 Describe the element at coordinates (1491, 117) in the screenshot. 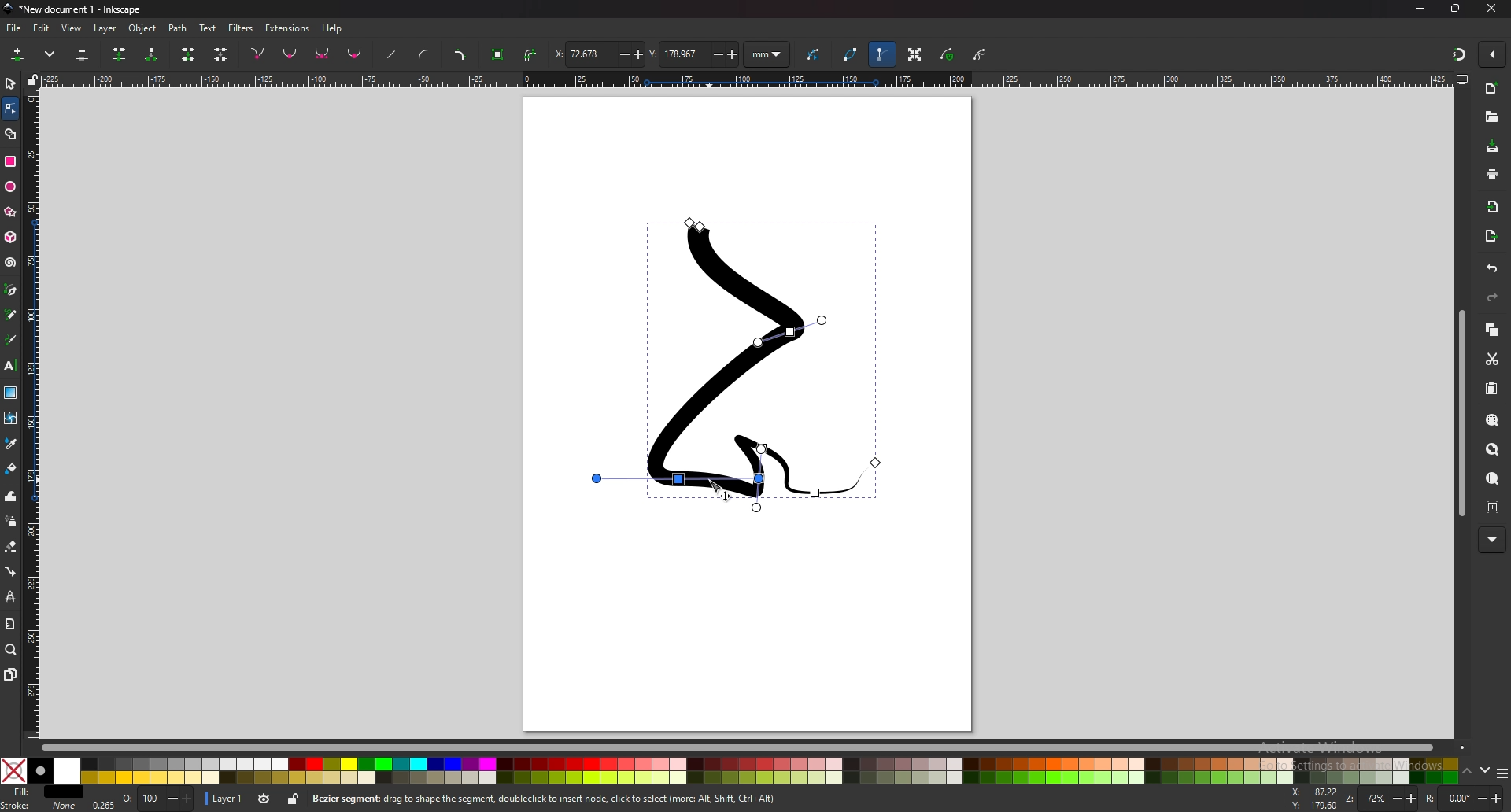

I see `open` at that location.